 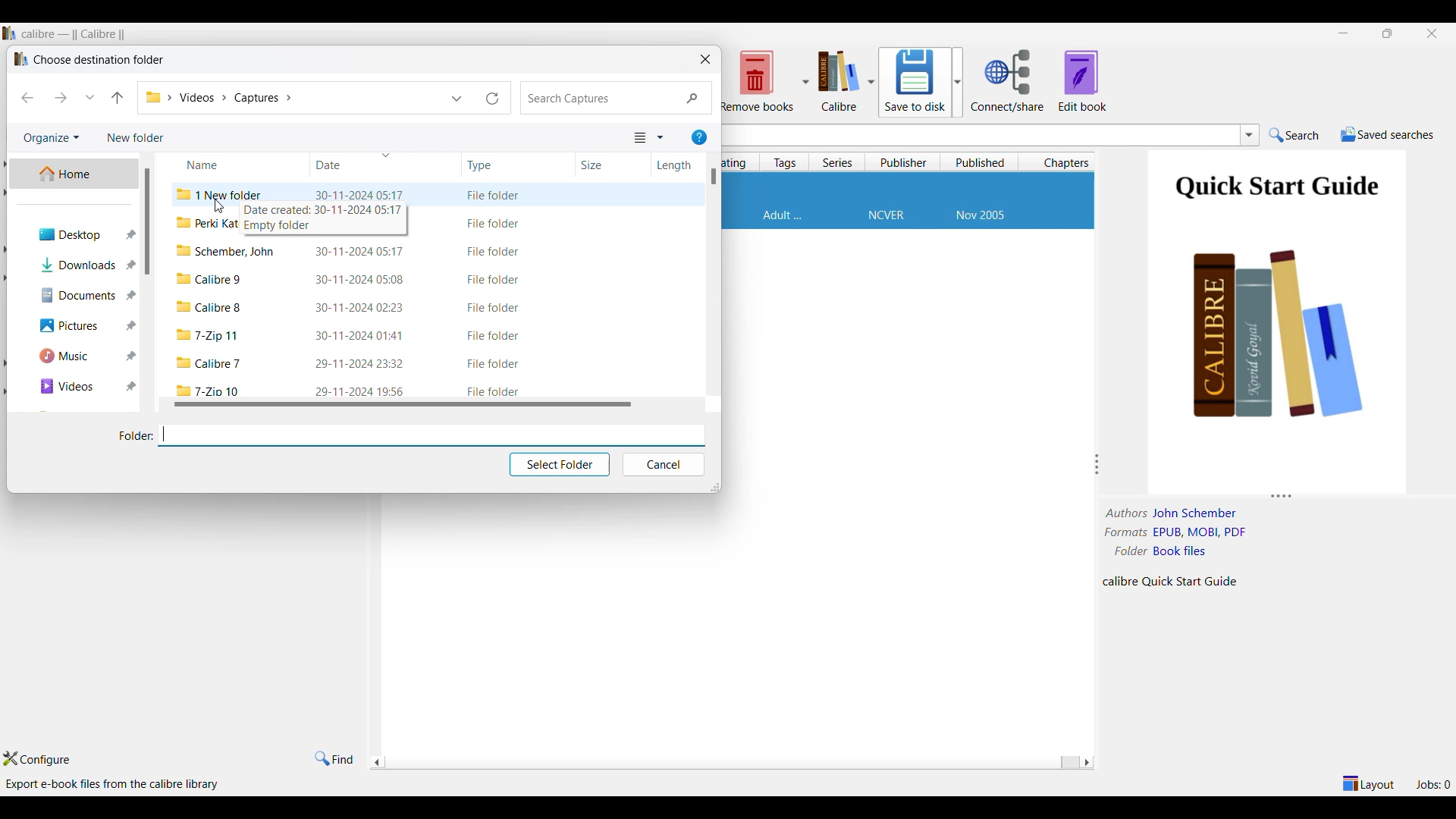 I want to click on file folder, so click(x=493, y=196).